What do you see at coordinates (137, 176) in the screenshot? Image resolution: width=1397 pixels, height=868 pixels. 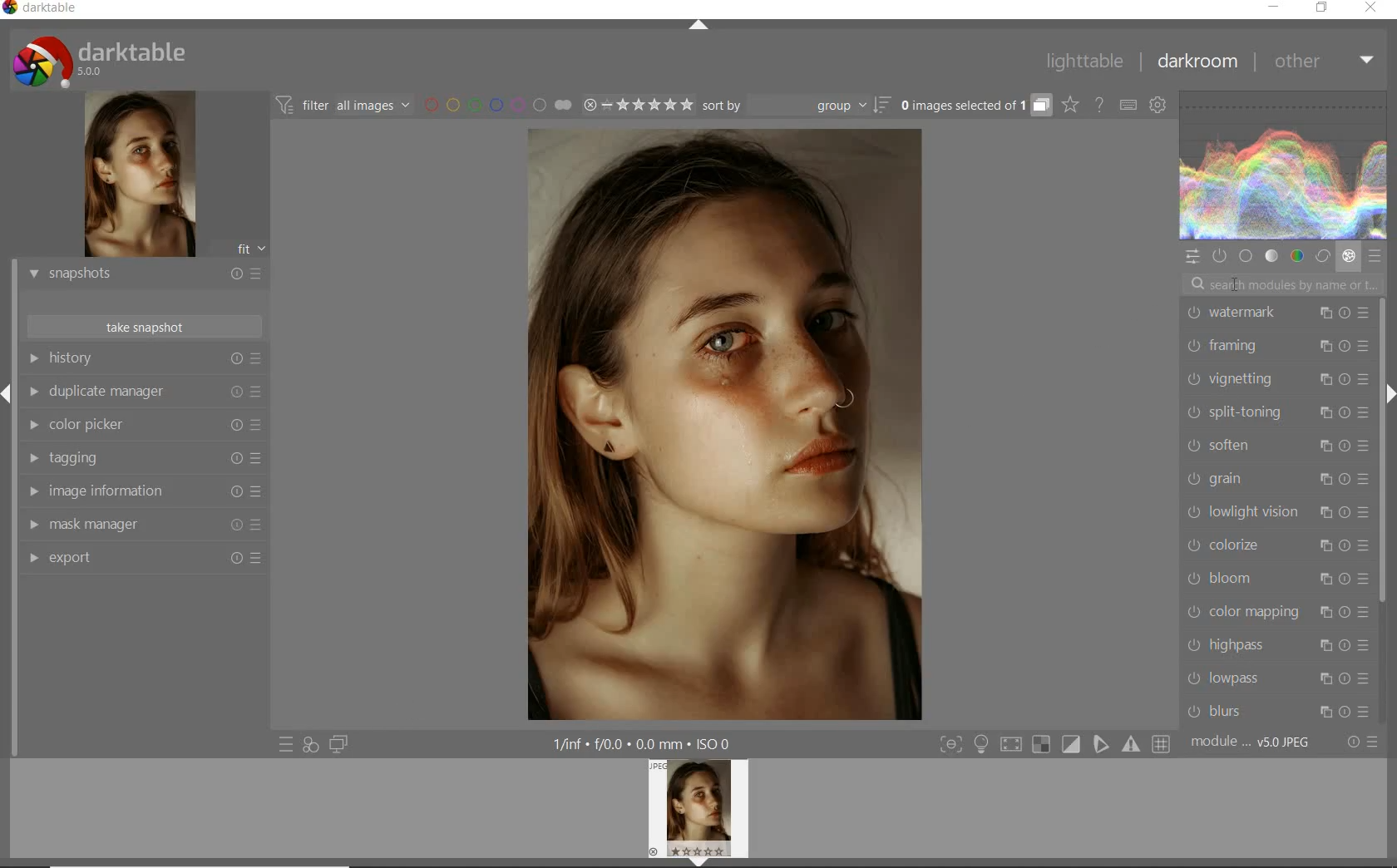 I see `image preview` at bounding box center [137, 176].